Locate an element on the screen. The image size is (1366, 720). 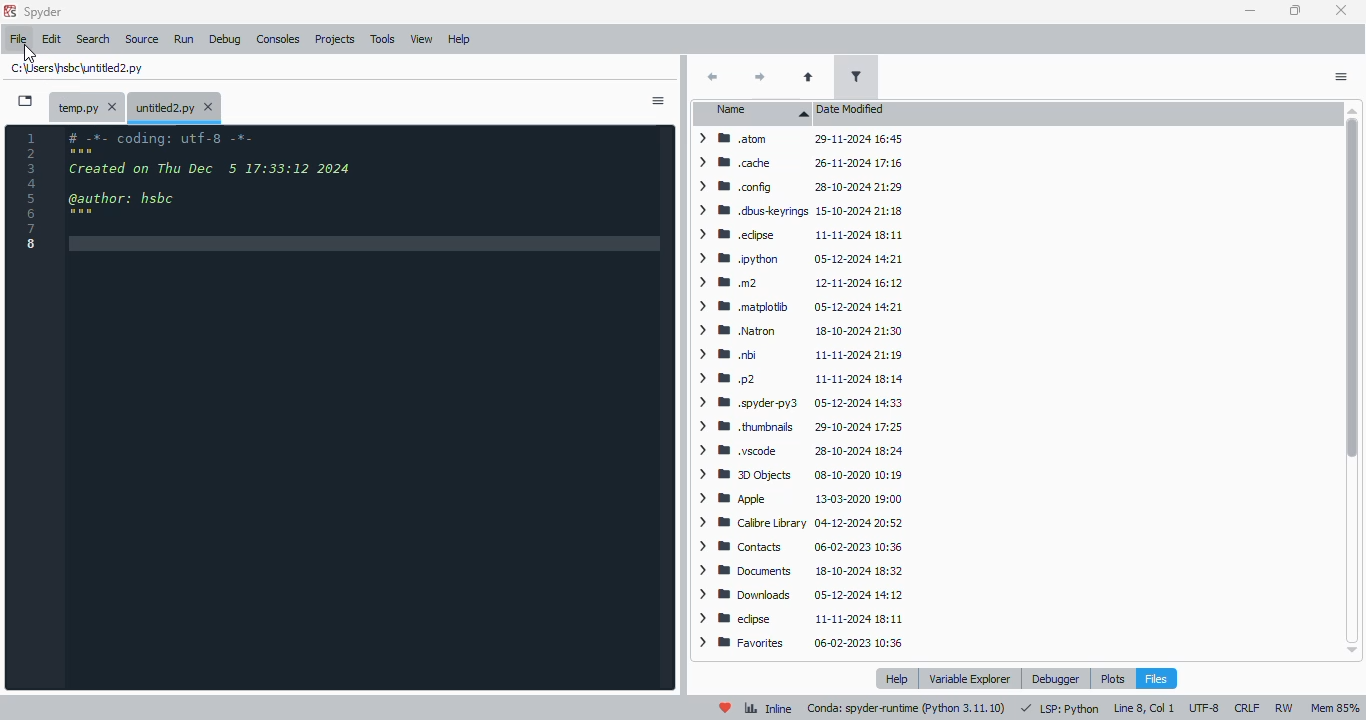
run is located at coordinates (184, 39).